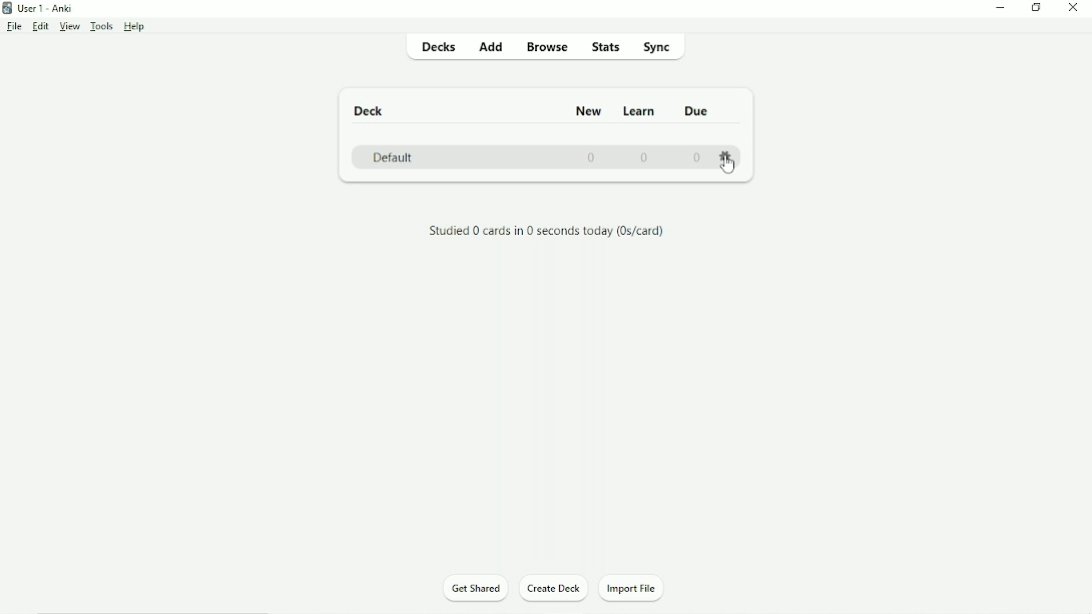  Describe the element at coordinates (641, 111) in the screenshot. I see `Learn` at that location.